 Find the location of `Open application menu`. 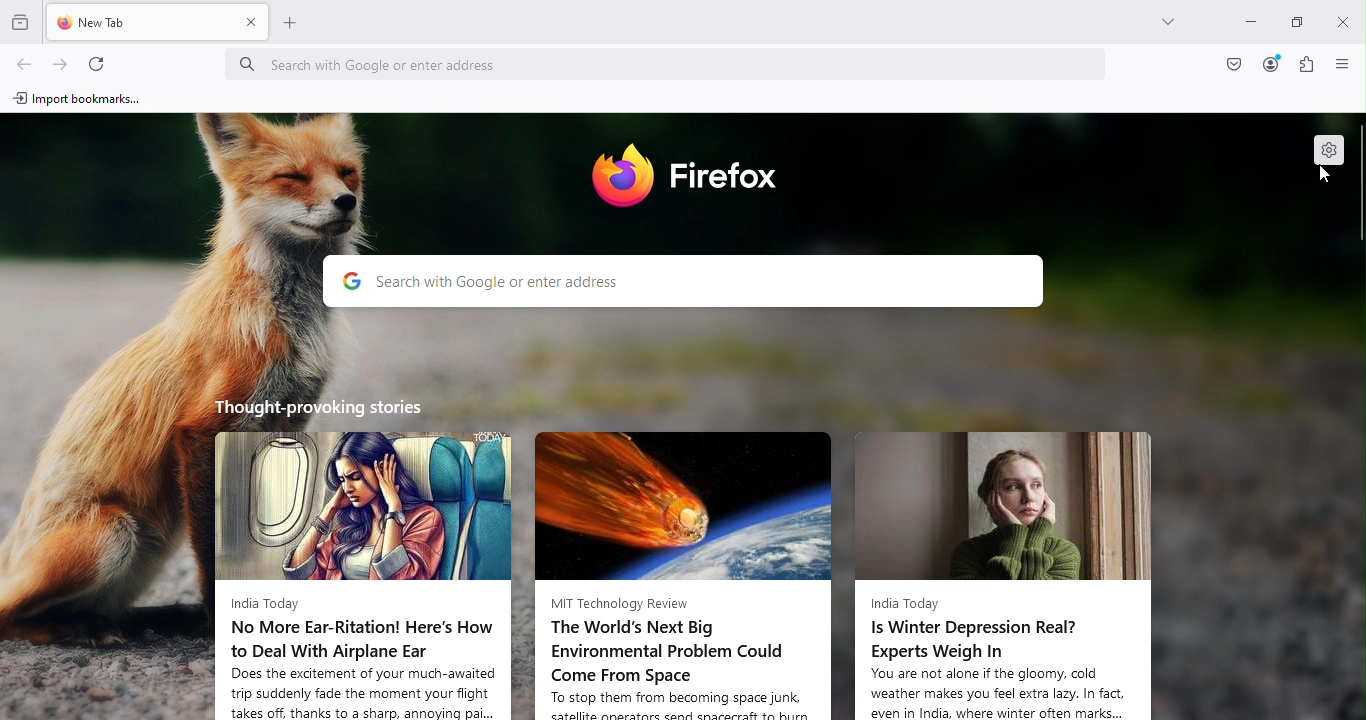

Open application menu is located at coordinates (1339, 65).